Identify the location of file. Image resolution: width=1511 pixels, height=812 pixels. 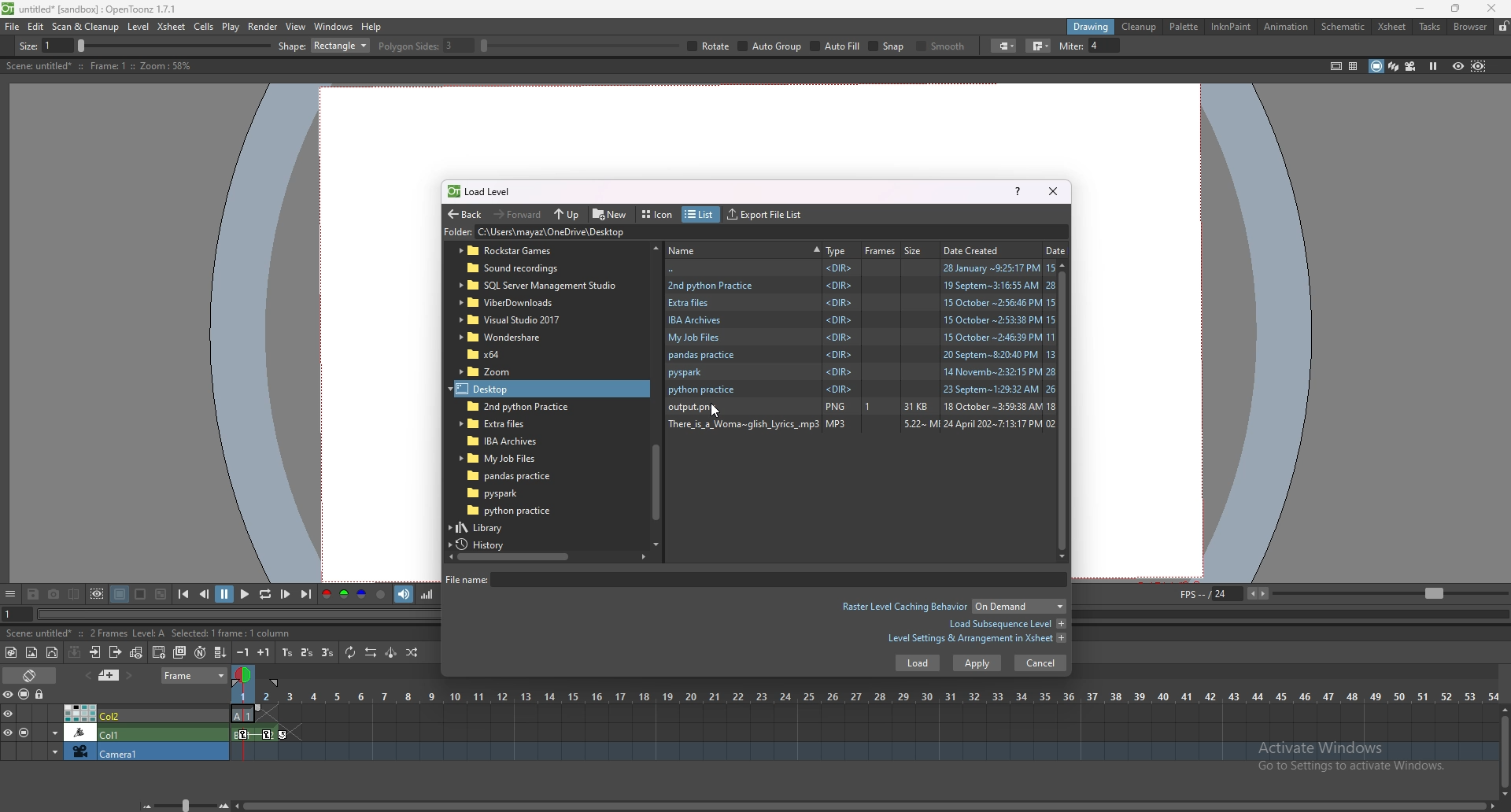
(861, 425).